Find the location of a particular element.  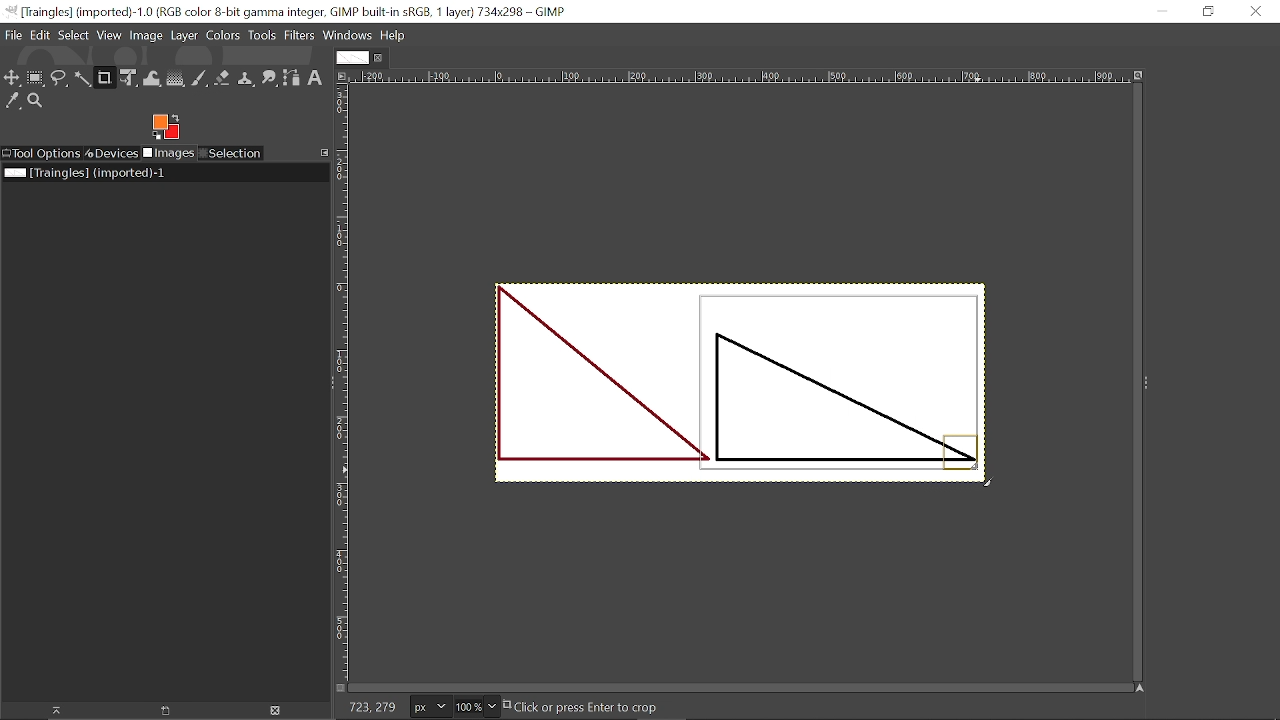

Windows is located at coordinates (347, 36).